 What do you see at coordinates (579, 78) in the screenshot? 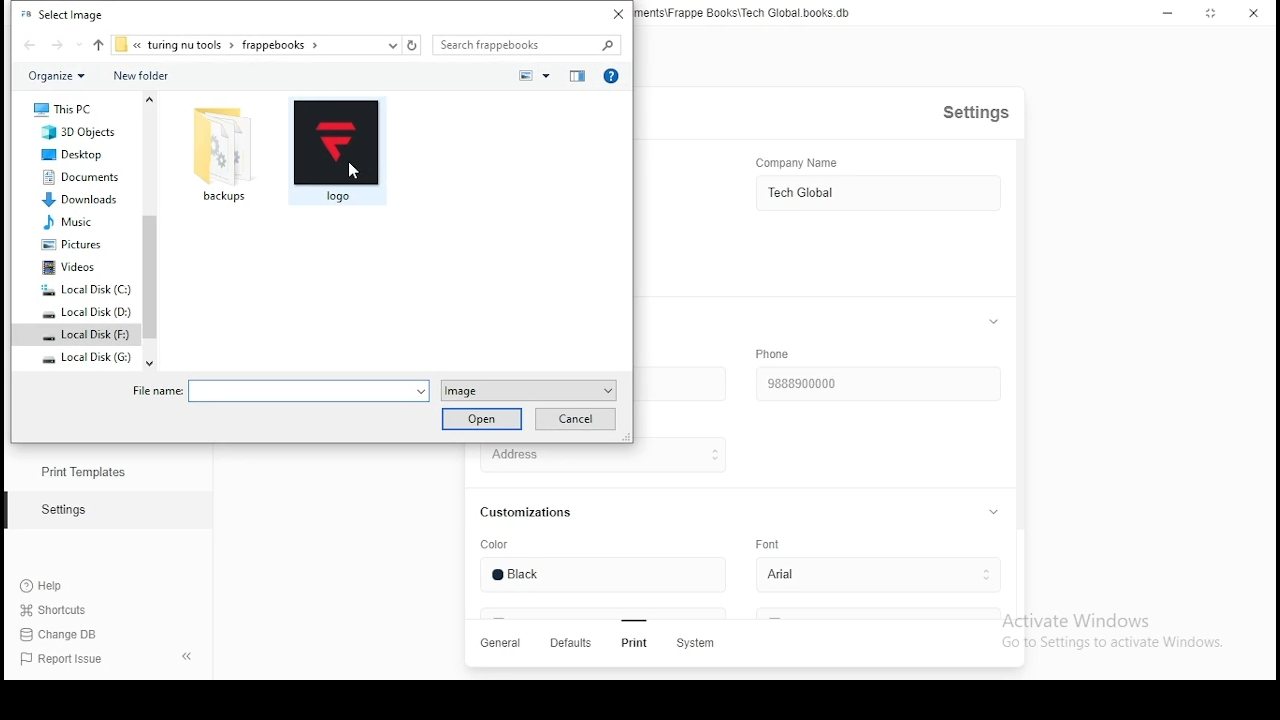
I see `preview` at bounding box center [579, 78].